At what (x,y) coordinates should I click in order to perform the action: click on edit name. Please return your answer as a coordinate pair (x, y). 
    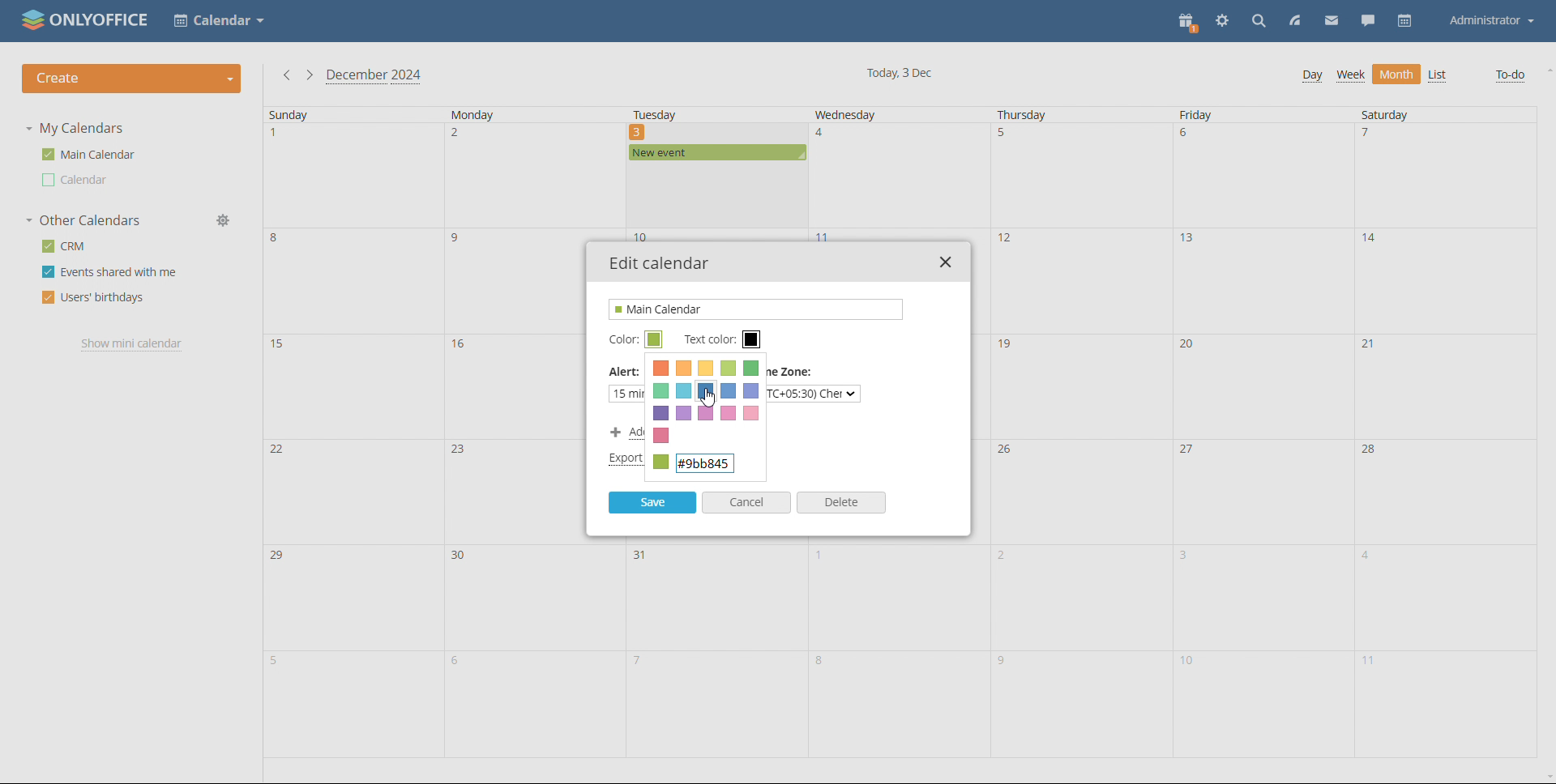
    Looking at the image, I should click on (756, 309).